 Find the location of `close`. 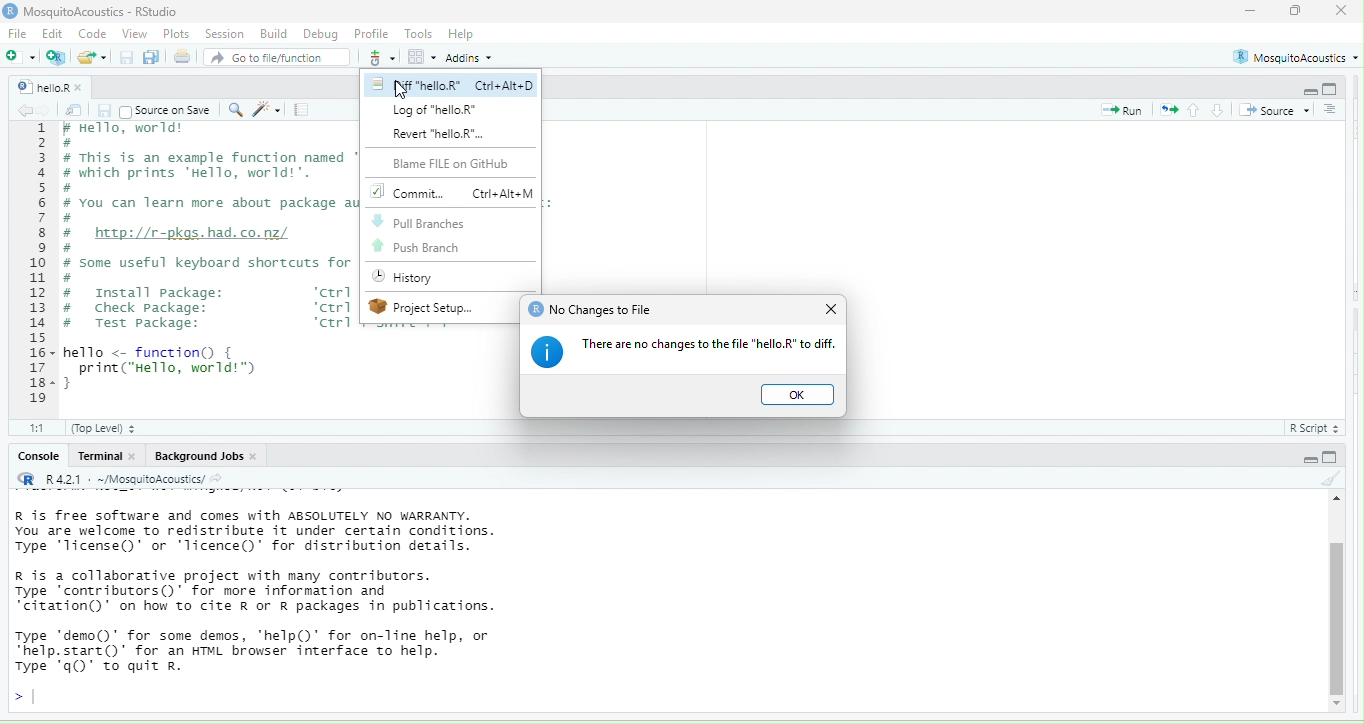

close is located at coordinates (1341, 12).